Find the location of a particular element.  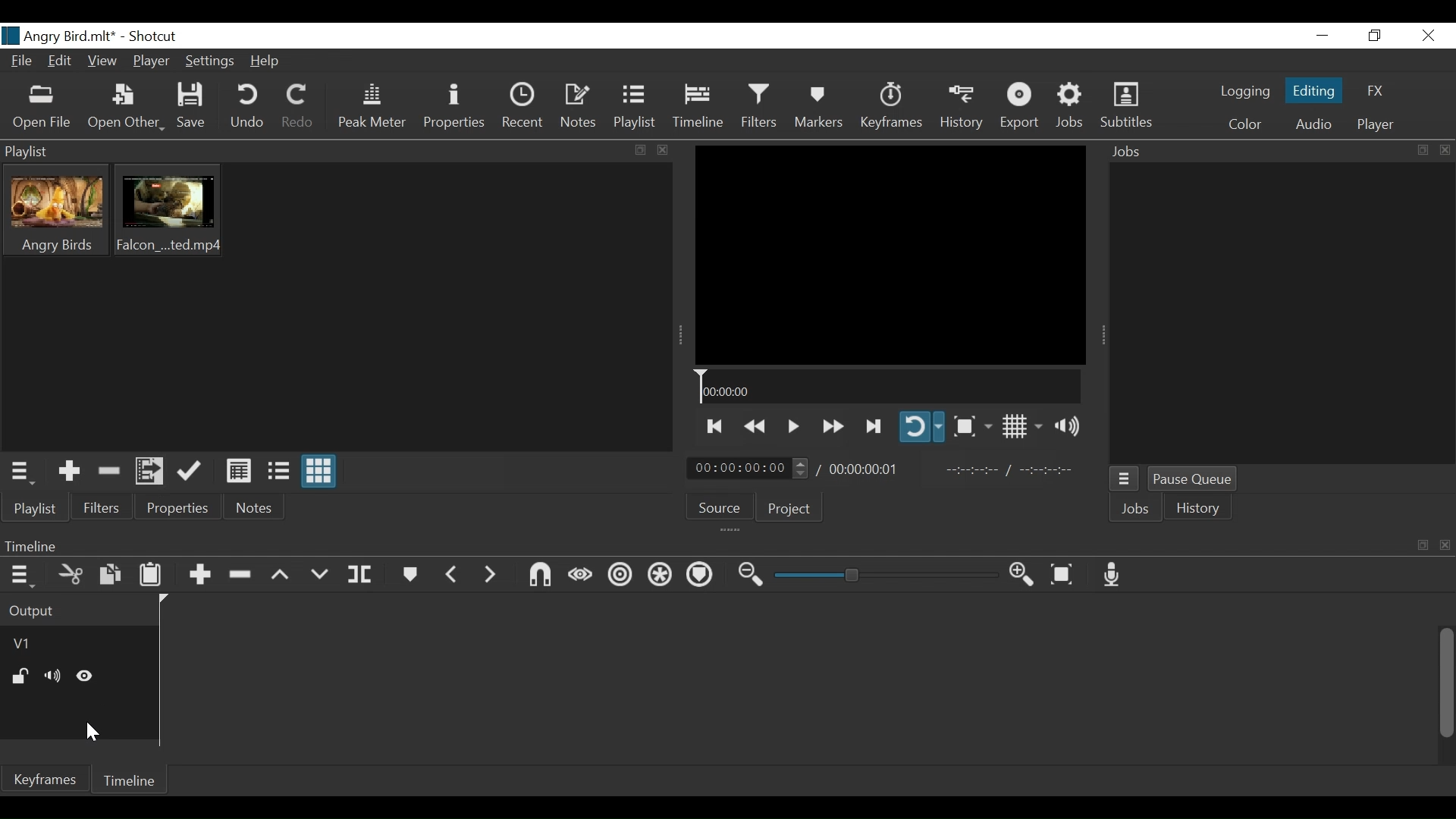

Restore is located at coordinates (1376, 35).